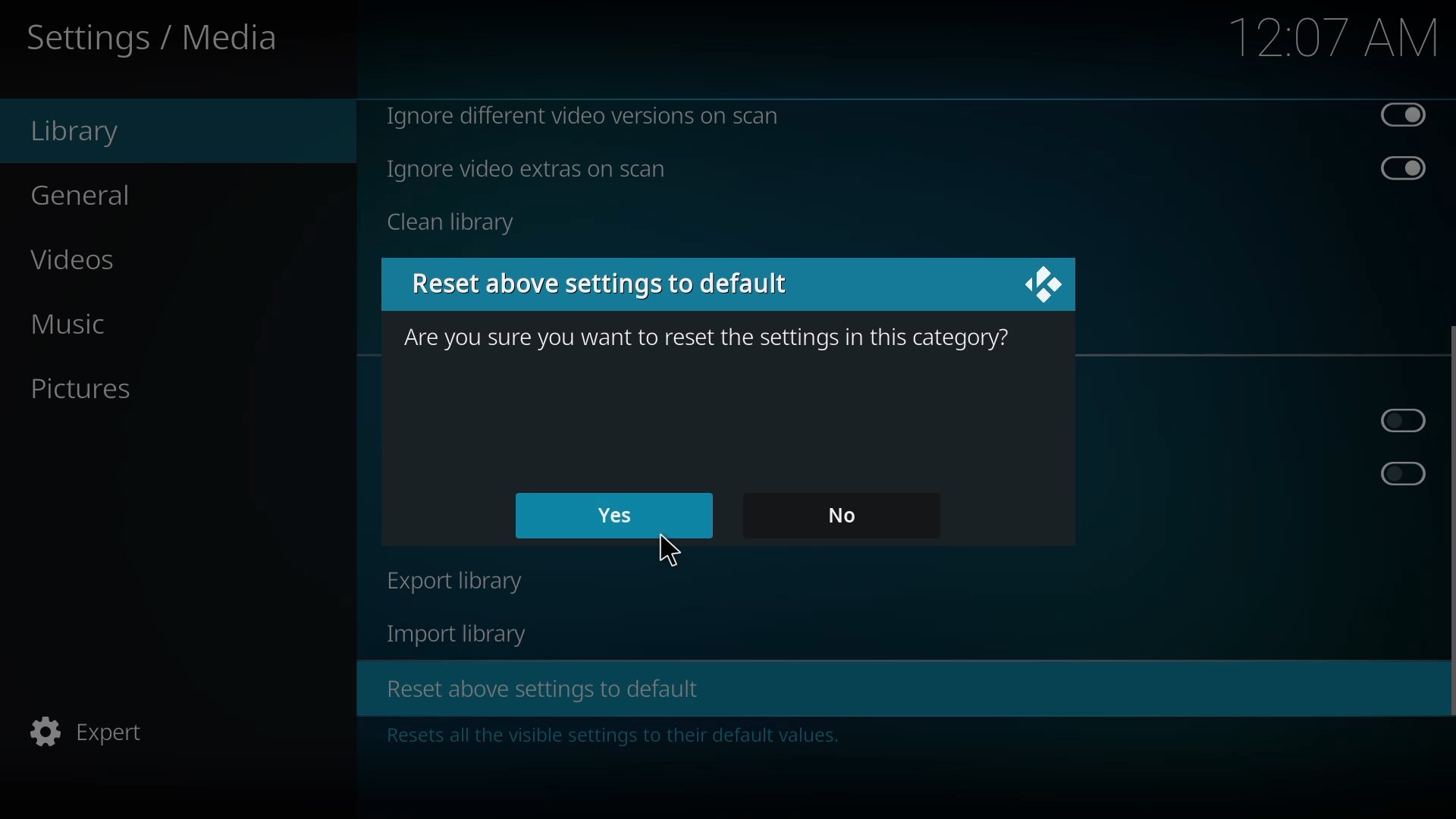 Image resolution: width=1456 pixels, height=819 pixels. Describe the element at coordinates (1404, 117) in the screenshot. I see `disabled` at that location.